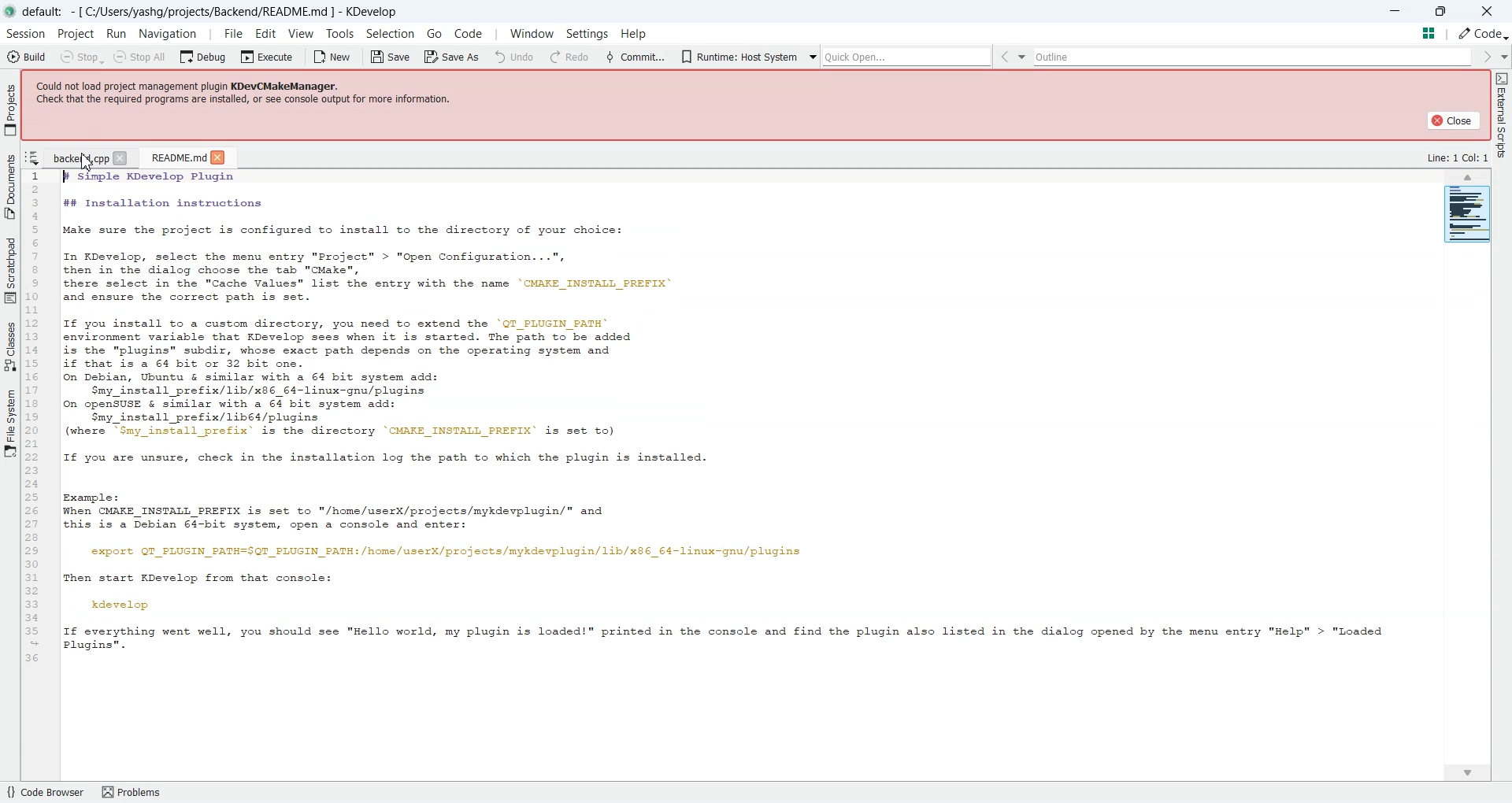  What do you see at coordinates (339, 34) in the screenshot?
I see `Tools` at bounding box center [339, 34].